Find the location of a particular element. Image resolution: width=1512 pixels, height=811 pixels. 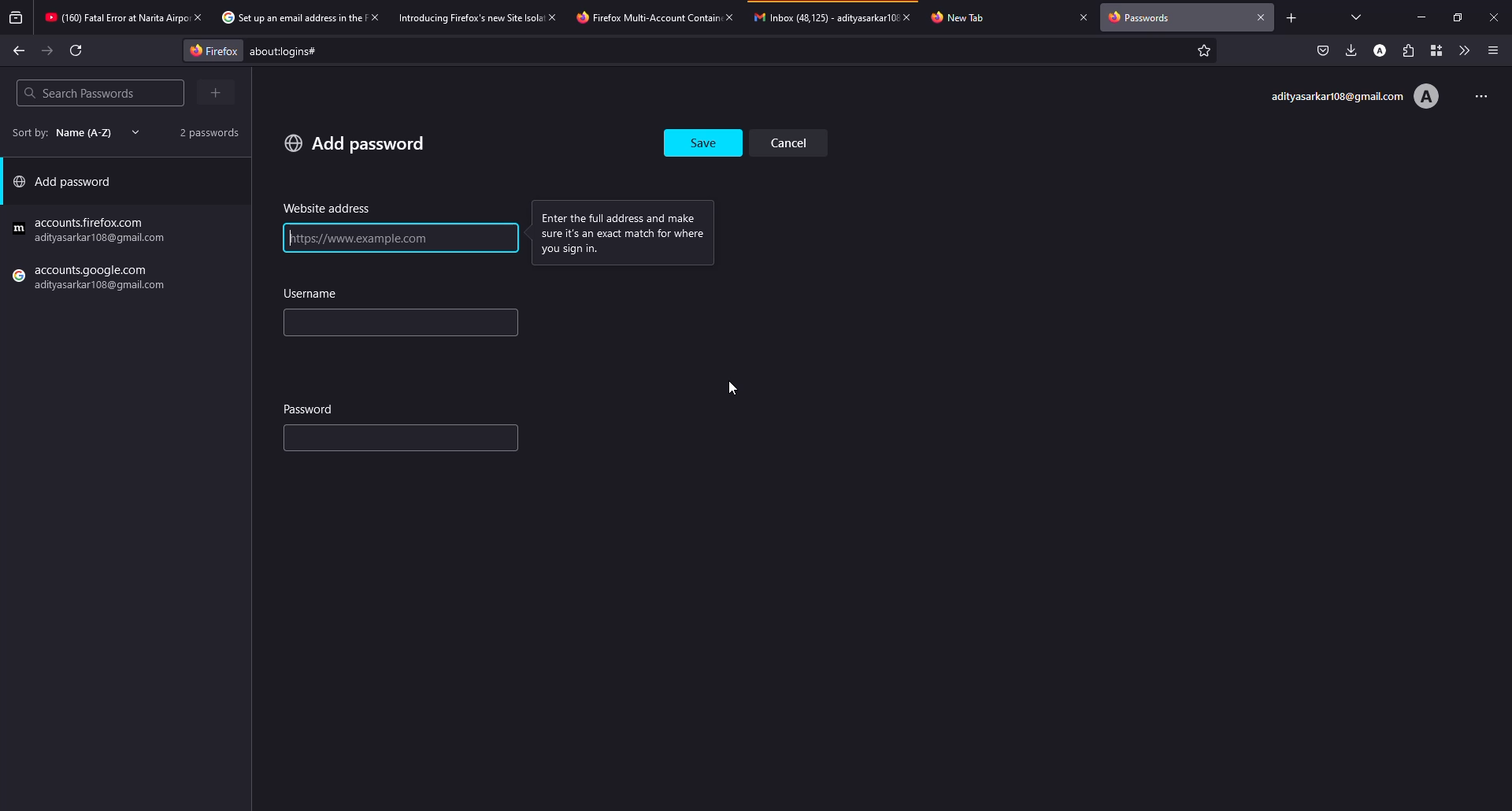

type is located at coordinates (348, 324).